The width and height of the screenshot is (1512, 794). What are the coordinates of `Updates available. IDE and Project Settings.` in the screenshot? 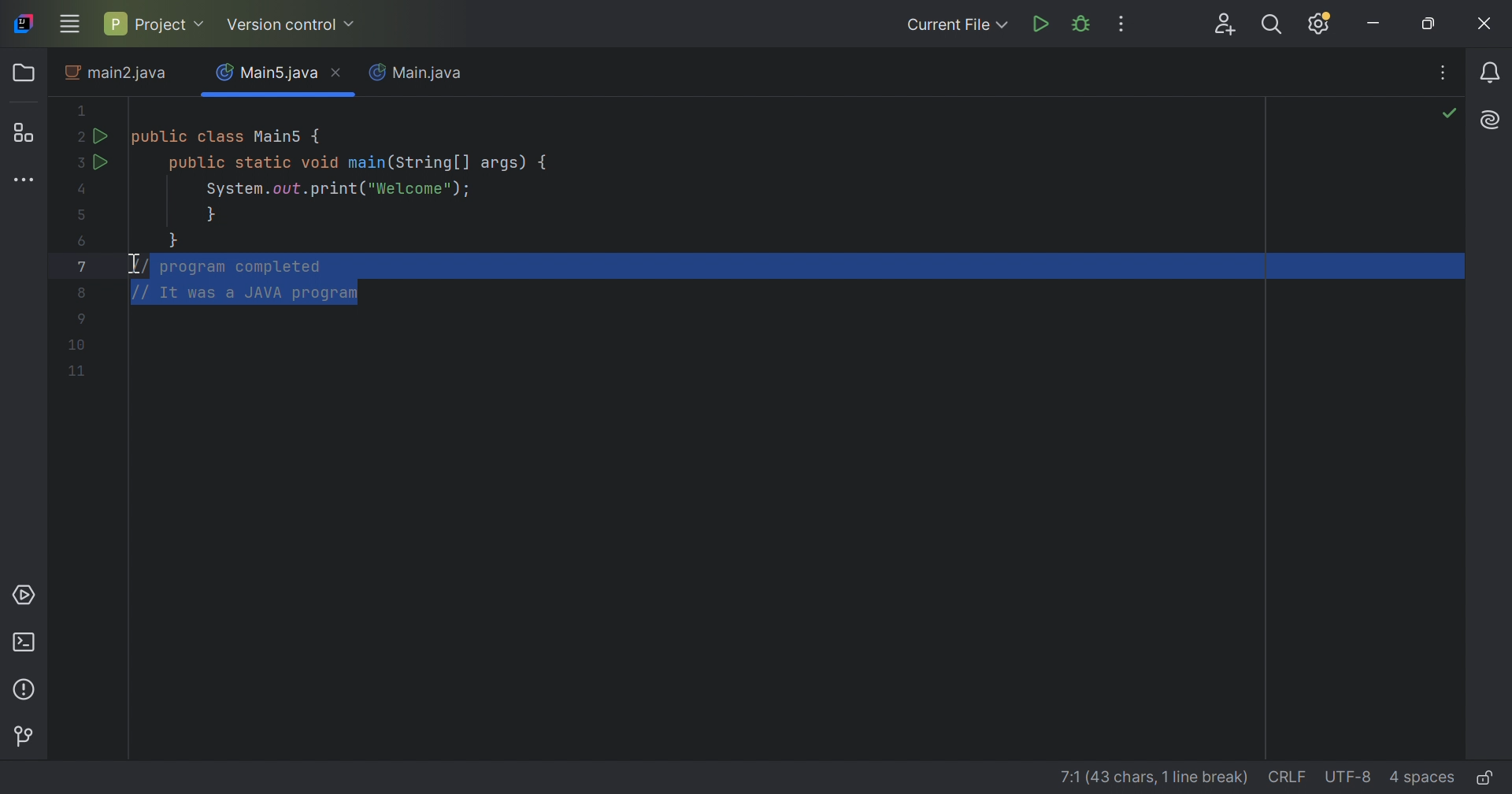 It's located at (1322, 24).